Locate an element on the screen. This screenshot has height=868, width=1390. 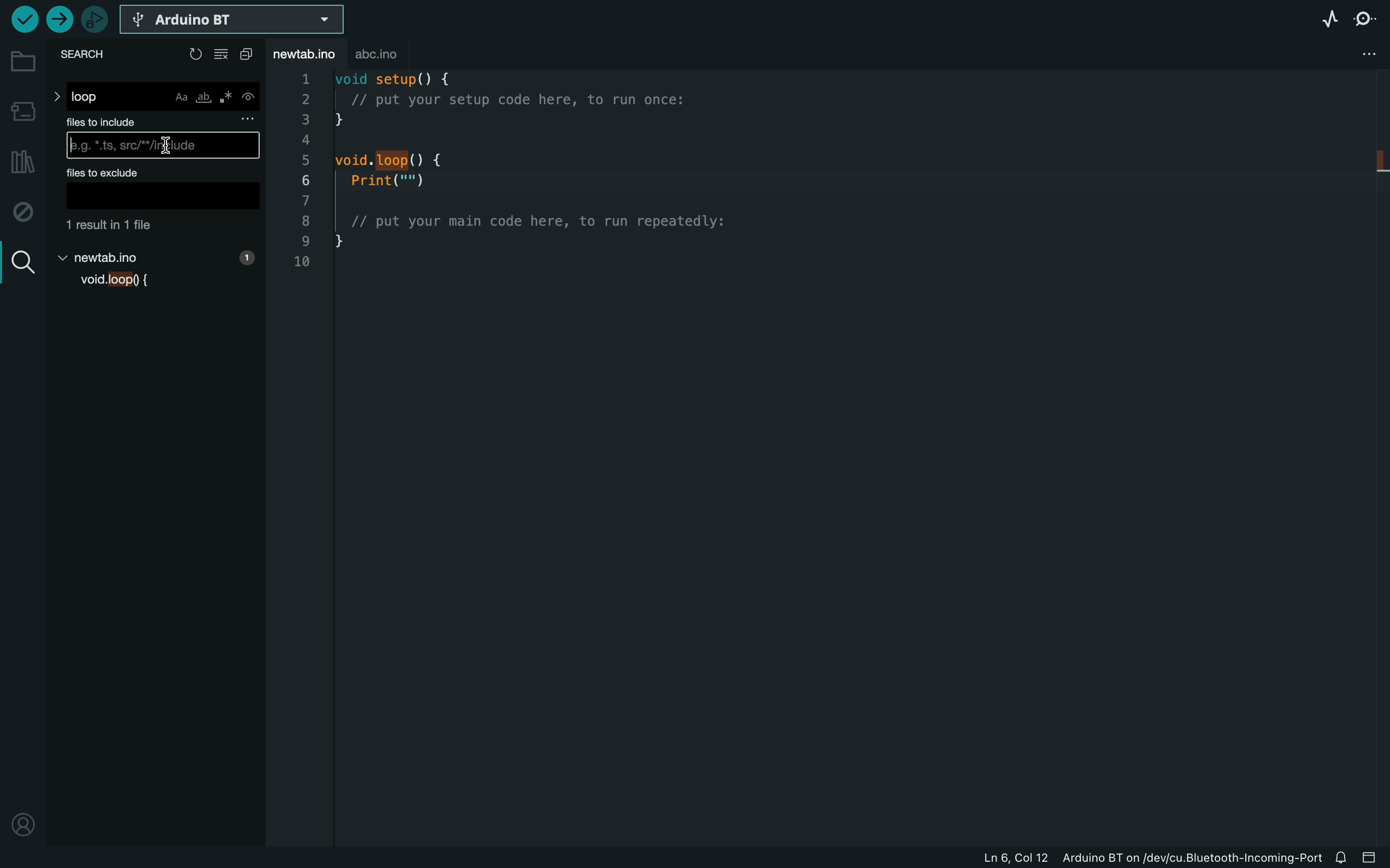
select board is located at coordinates (232, 21).